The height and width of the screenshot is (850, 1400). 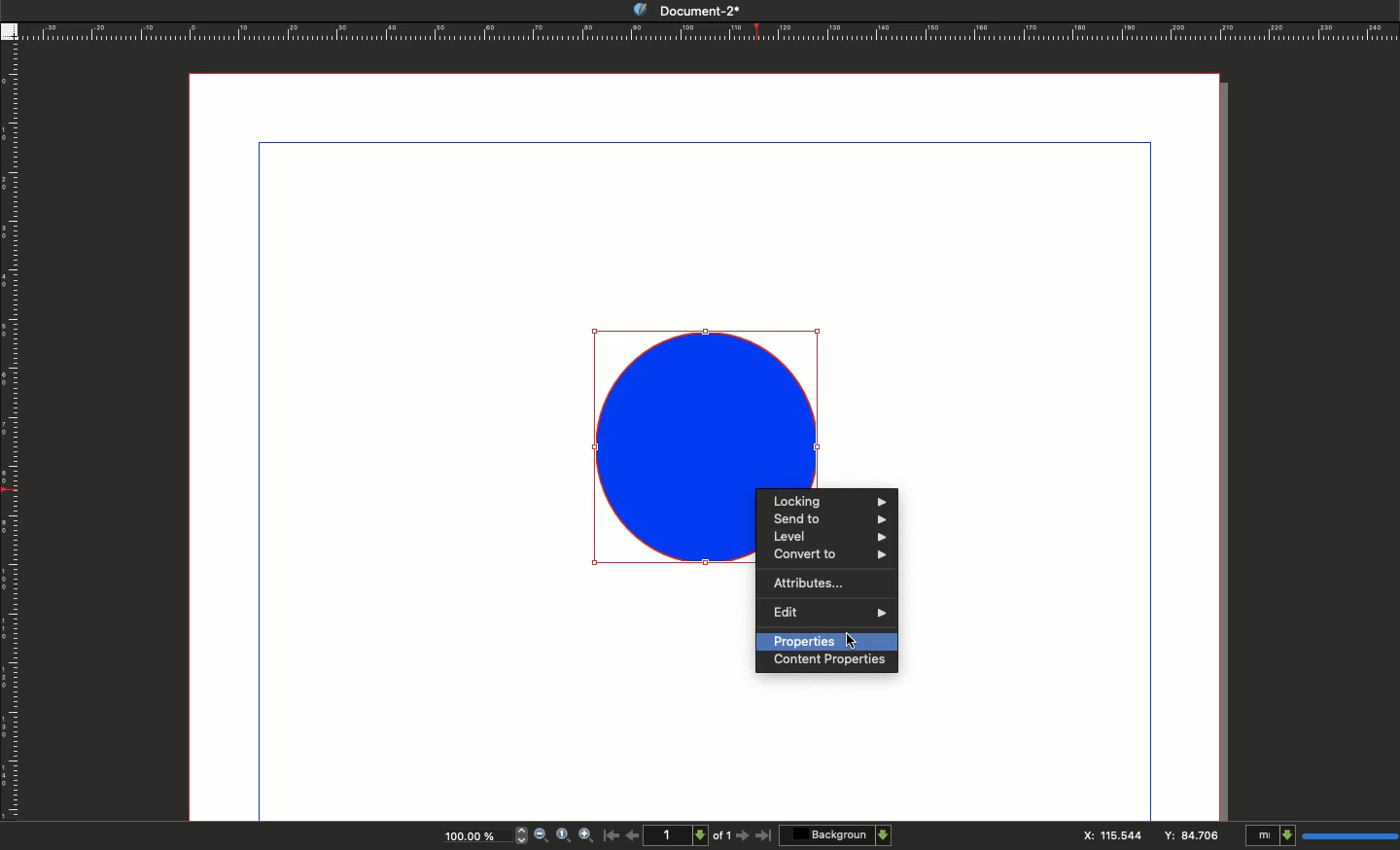 What do you see at coordinates (830, 555) in the screenshot?
I see `Convert to` at bounding box center [830, 555].